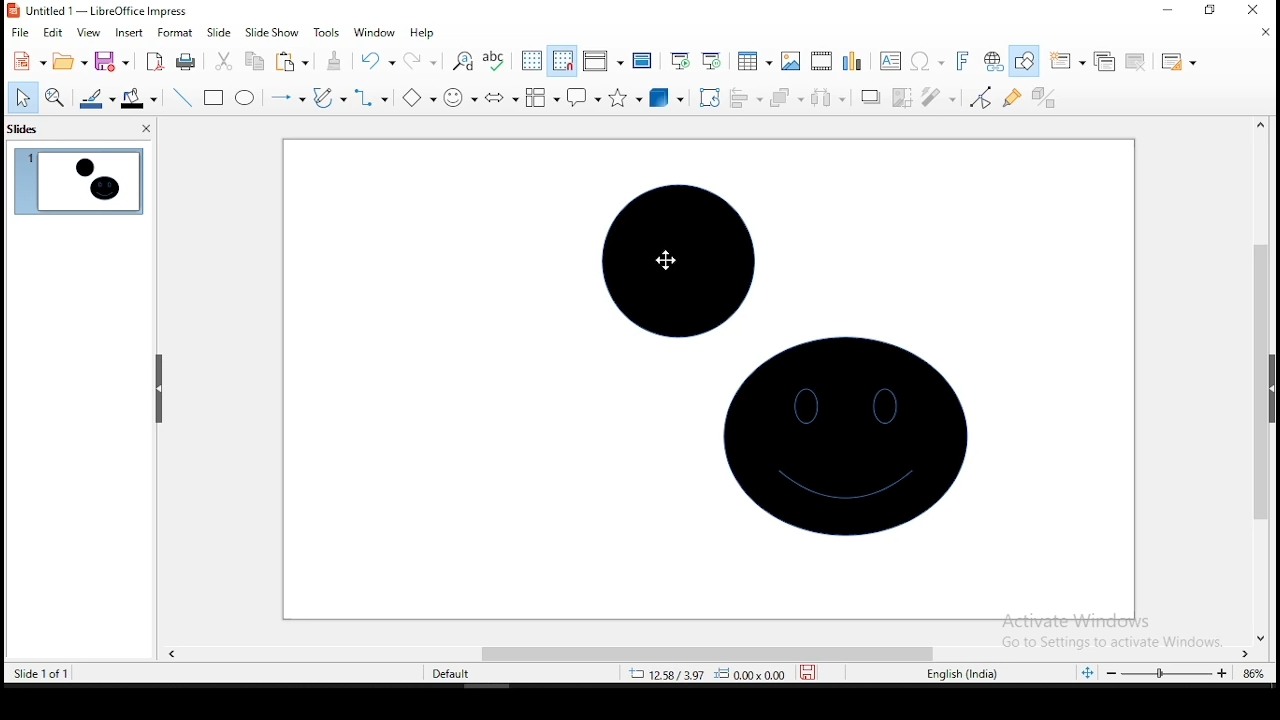  I want to click on select tool, so click(23, 97).